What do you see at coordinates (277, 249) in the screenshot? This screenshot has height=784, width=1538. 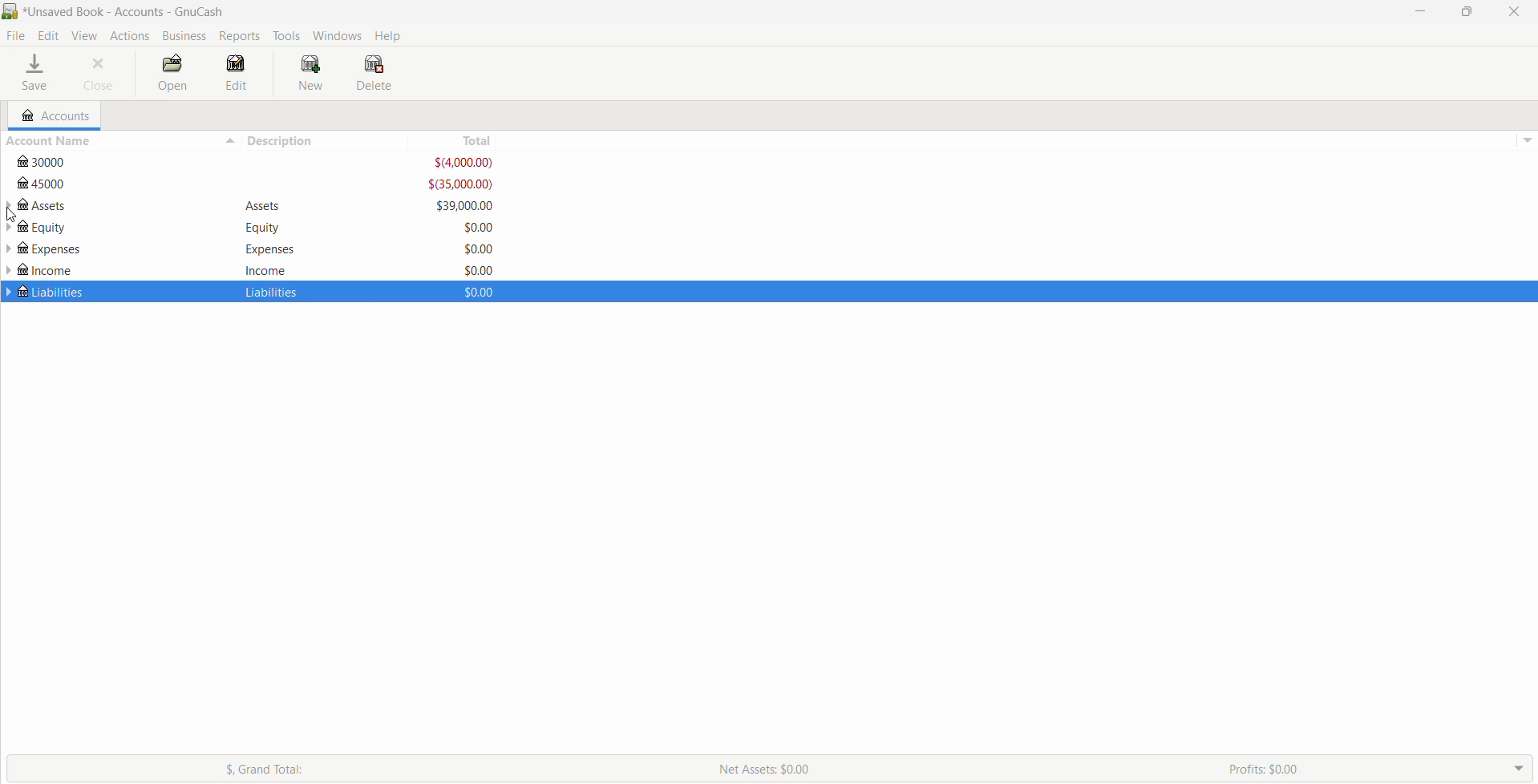 I see `Expenses` at bounding box center [277, 249].